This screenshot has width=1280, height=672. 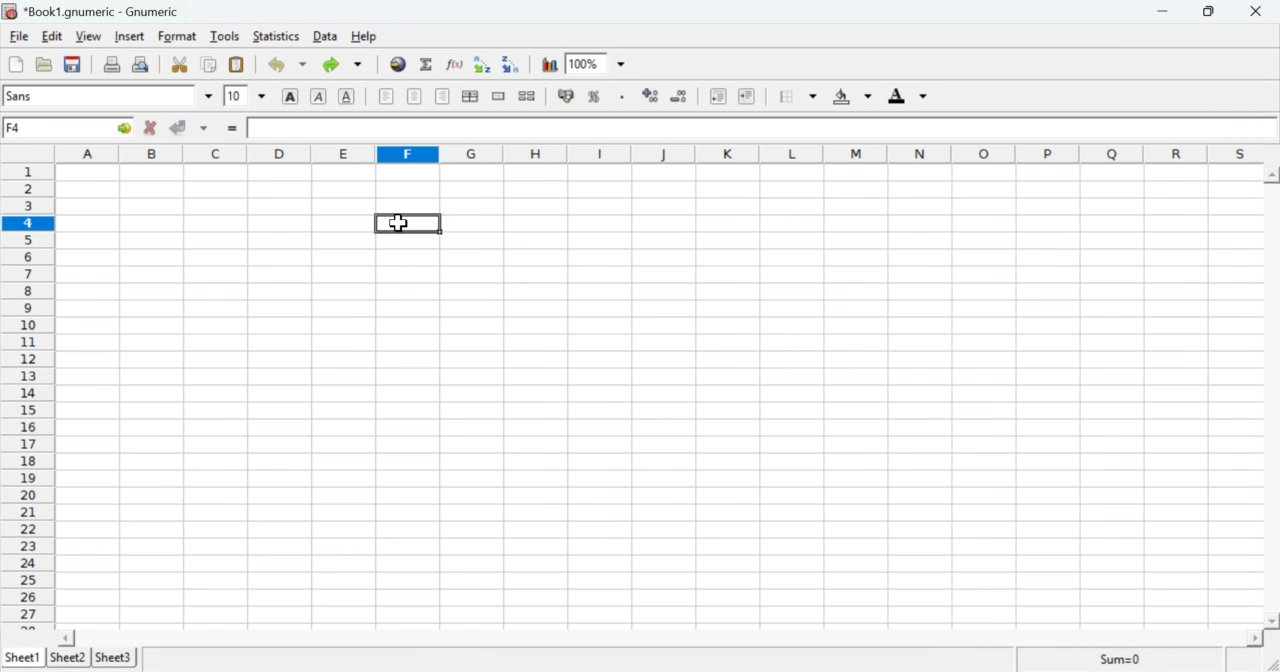 I want to click on Zoom, so click(x=583, y=61).